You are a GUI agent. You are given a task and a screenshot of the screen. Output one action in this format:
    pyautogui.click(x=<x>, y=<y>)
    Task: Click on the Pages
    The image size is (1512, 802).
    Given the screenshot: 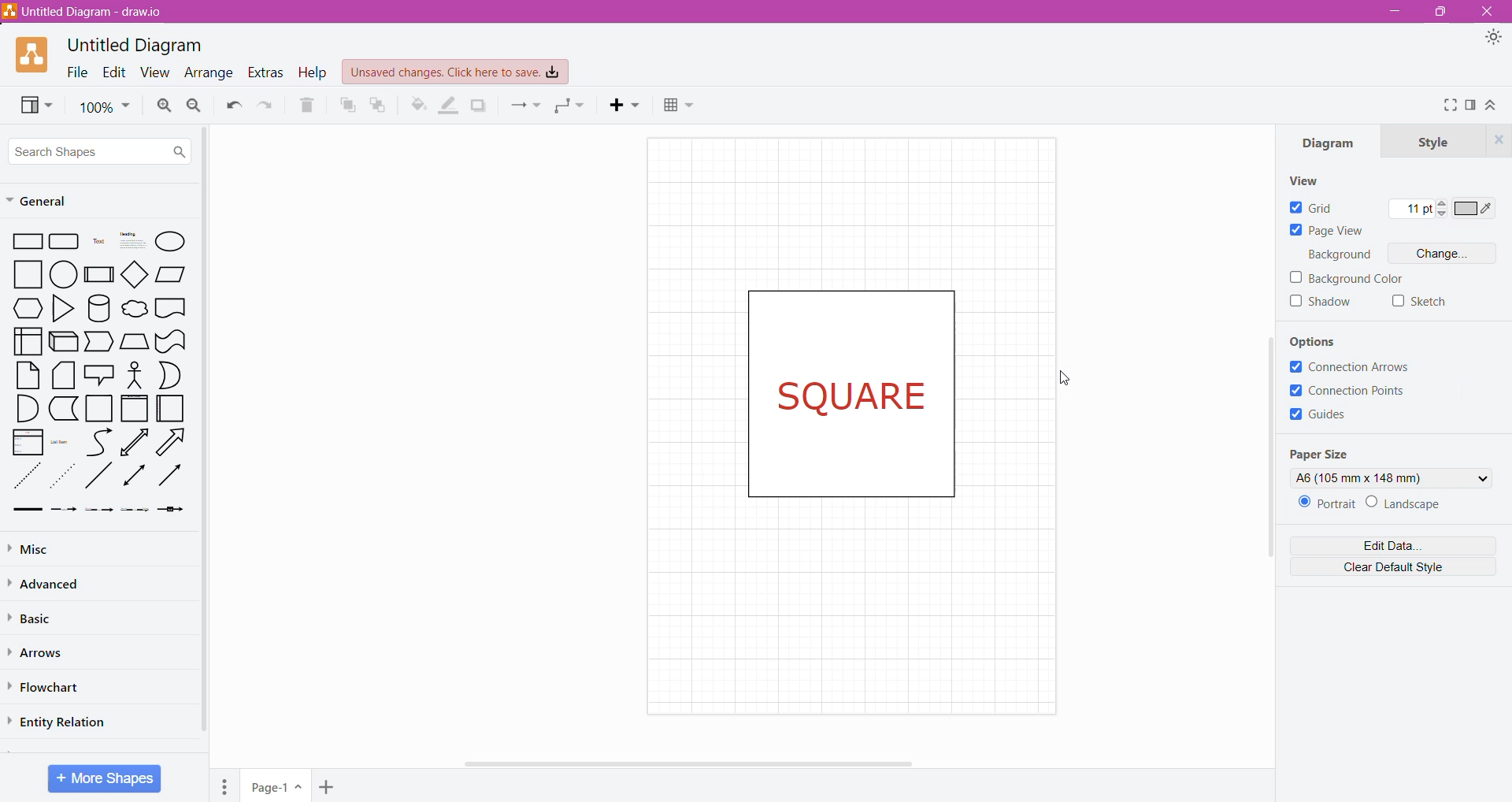 What is the action you would take?
    pyautogui.click(x=225, y=786)
    